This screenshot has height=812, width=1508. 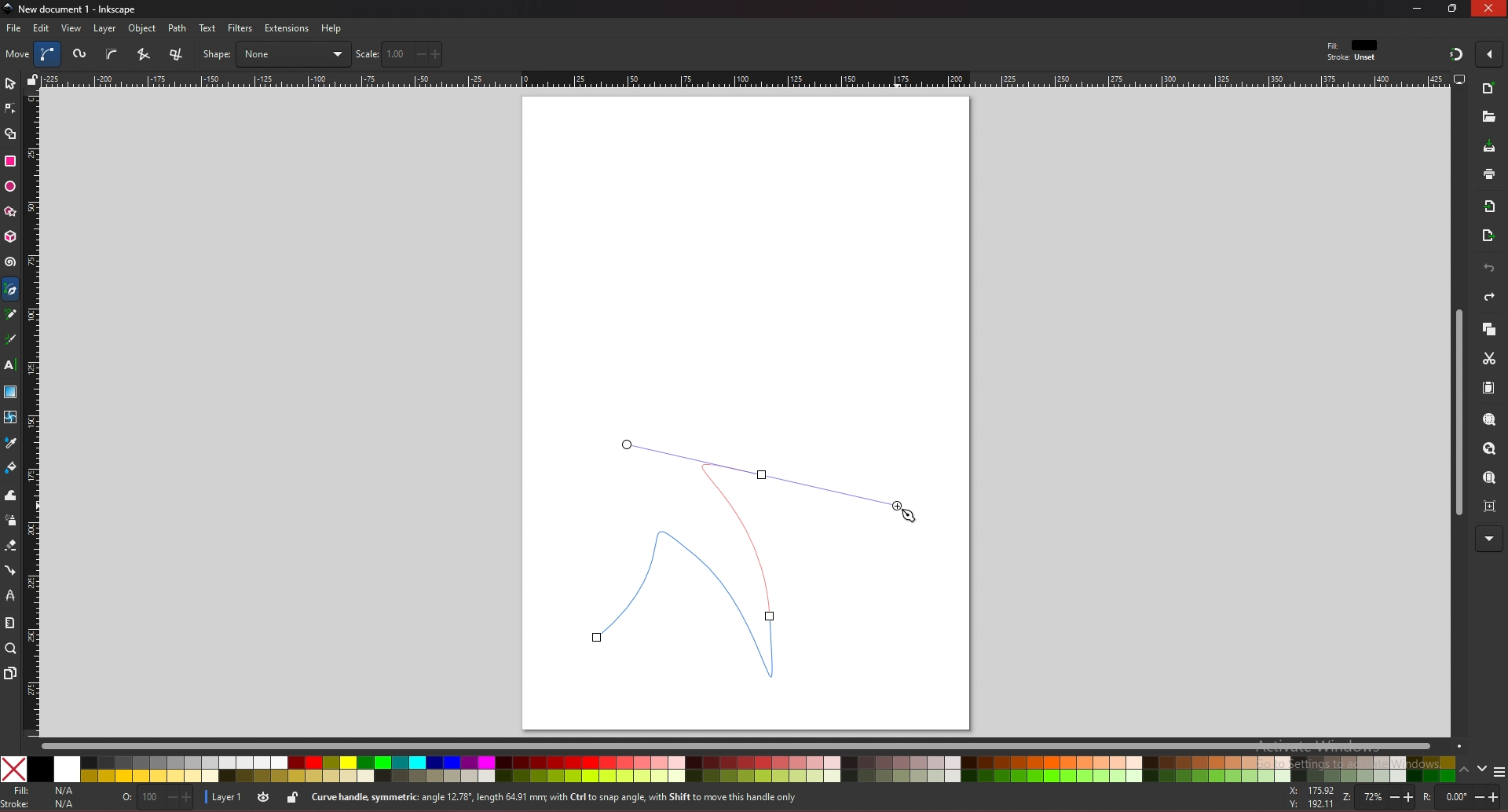 I want to click on display options, so click(x=1459, y=79).